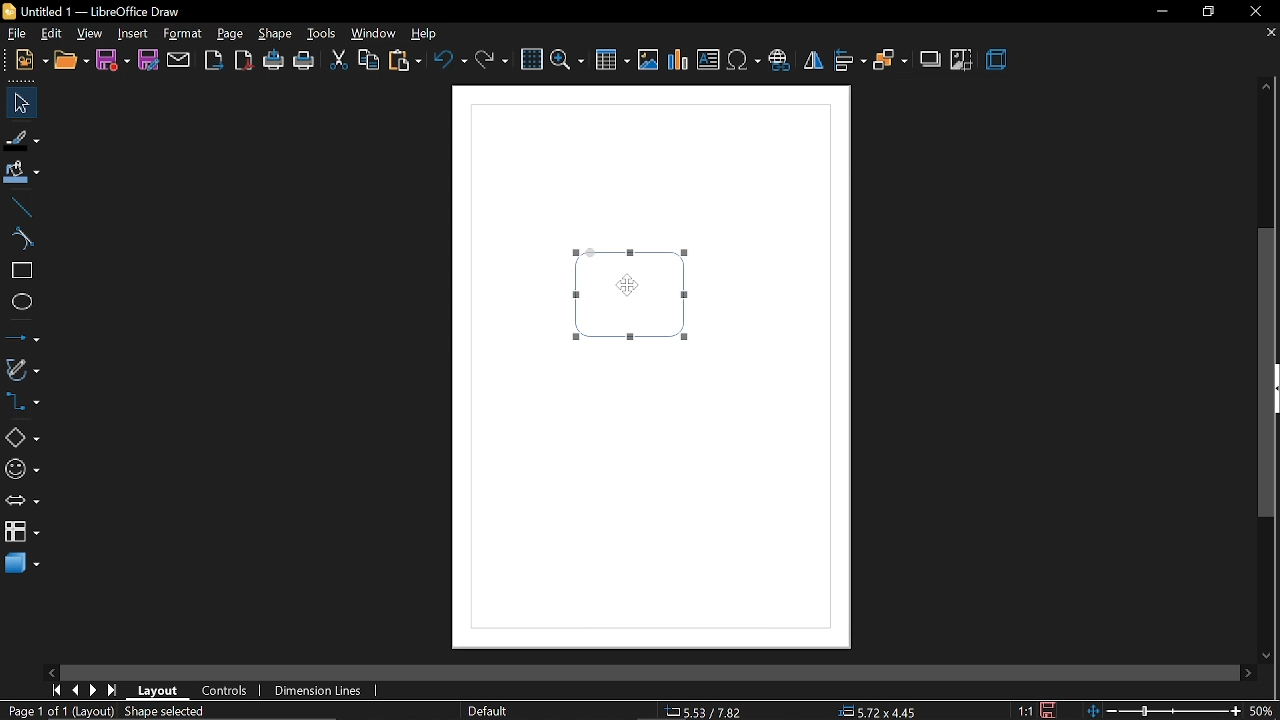 The width and height of the screenshot is (1280, 720). Describe the element at coordinates (429, 34) in the screenshot. I see `help` at that location.